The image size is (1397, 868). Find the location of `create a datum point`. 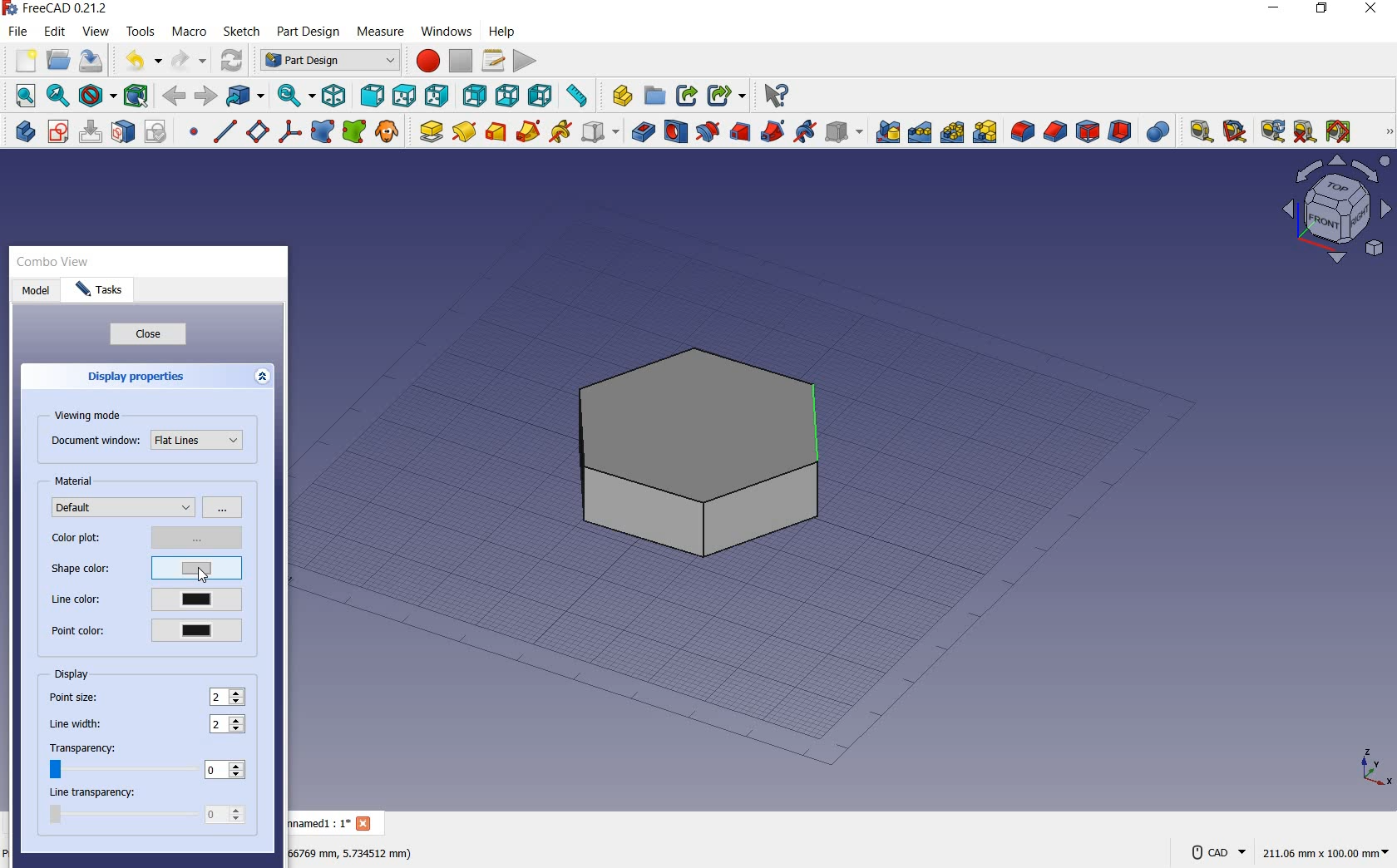

create a datum point is located at coordinates (195, 135).